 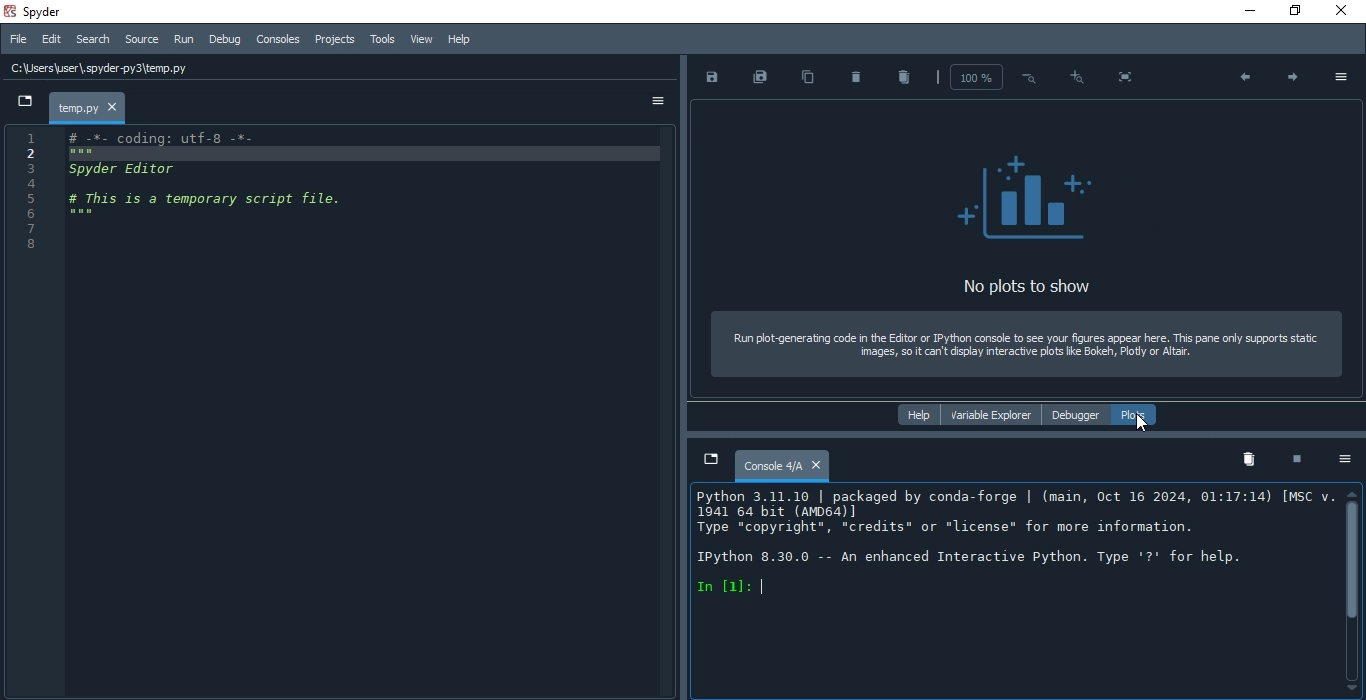 What do you see at coordinates (1346, 461) in the screenshot?
I see `options` at bounding box center [1346, 461].